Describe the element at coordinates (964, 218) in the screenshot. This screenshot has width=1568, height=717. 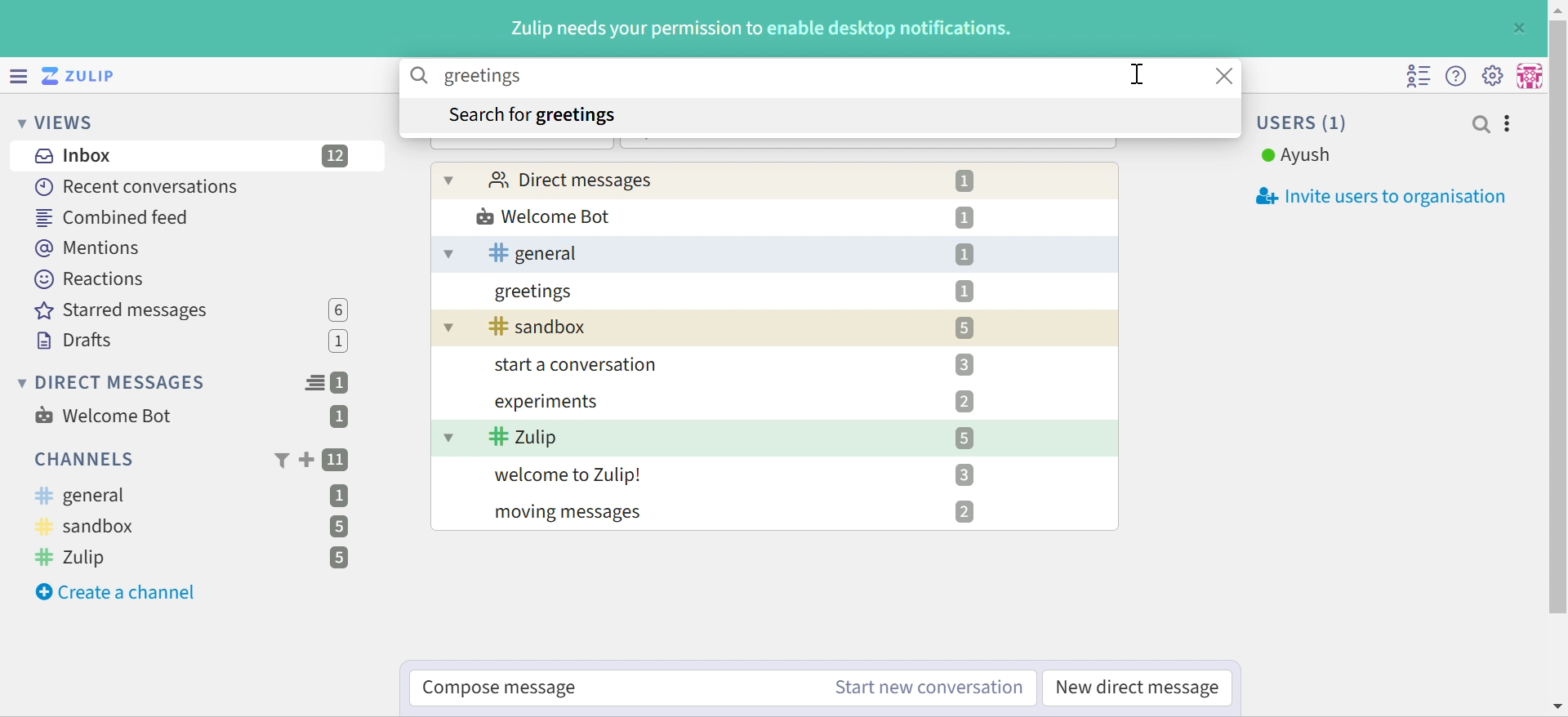
I see `1` at that location.